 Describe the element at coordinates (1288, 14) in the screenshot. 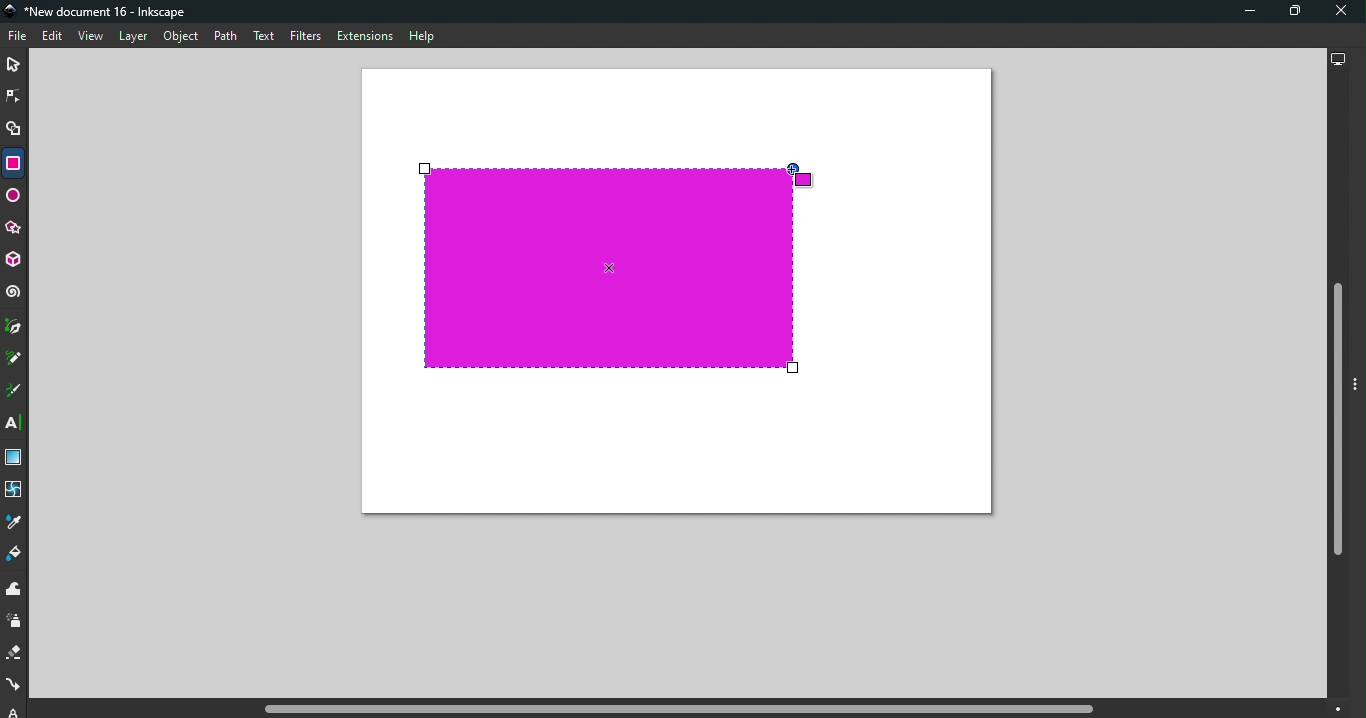

I see `Maximize` at that location.